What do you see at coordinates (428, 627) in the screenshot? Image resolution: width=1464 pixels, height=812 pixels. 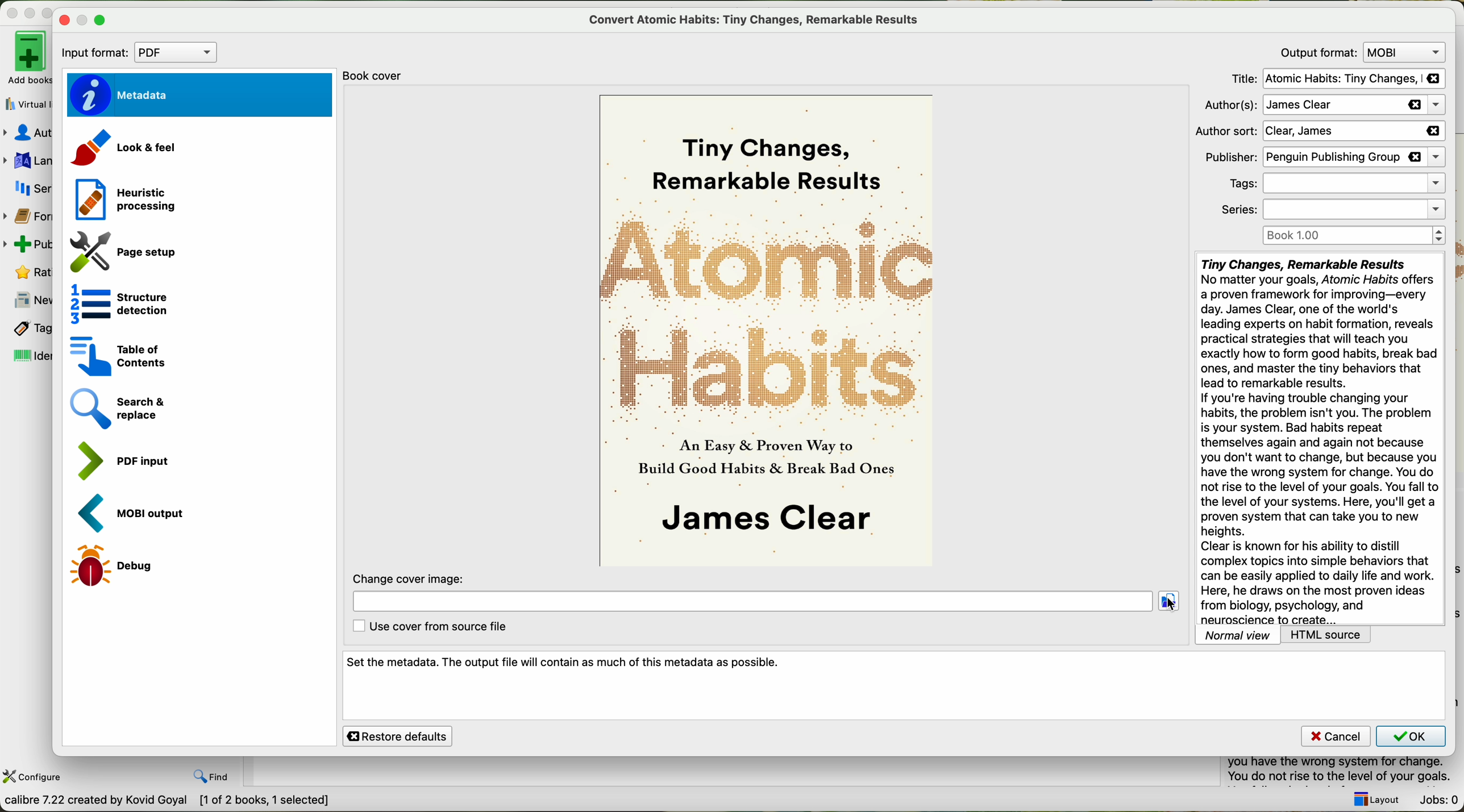 I see `use cover from source file` at bounding box center [428, 627].